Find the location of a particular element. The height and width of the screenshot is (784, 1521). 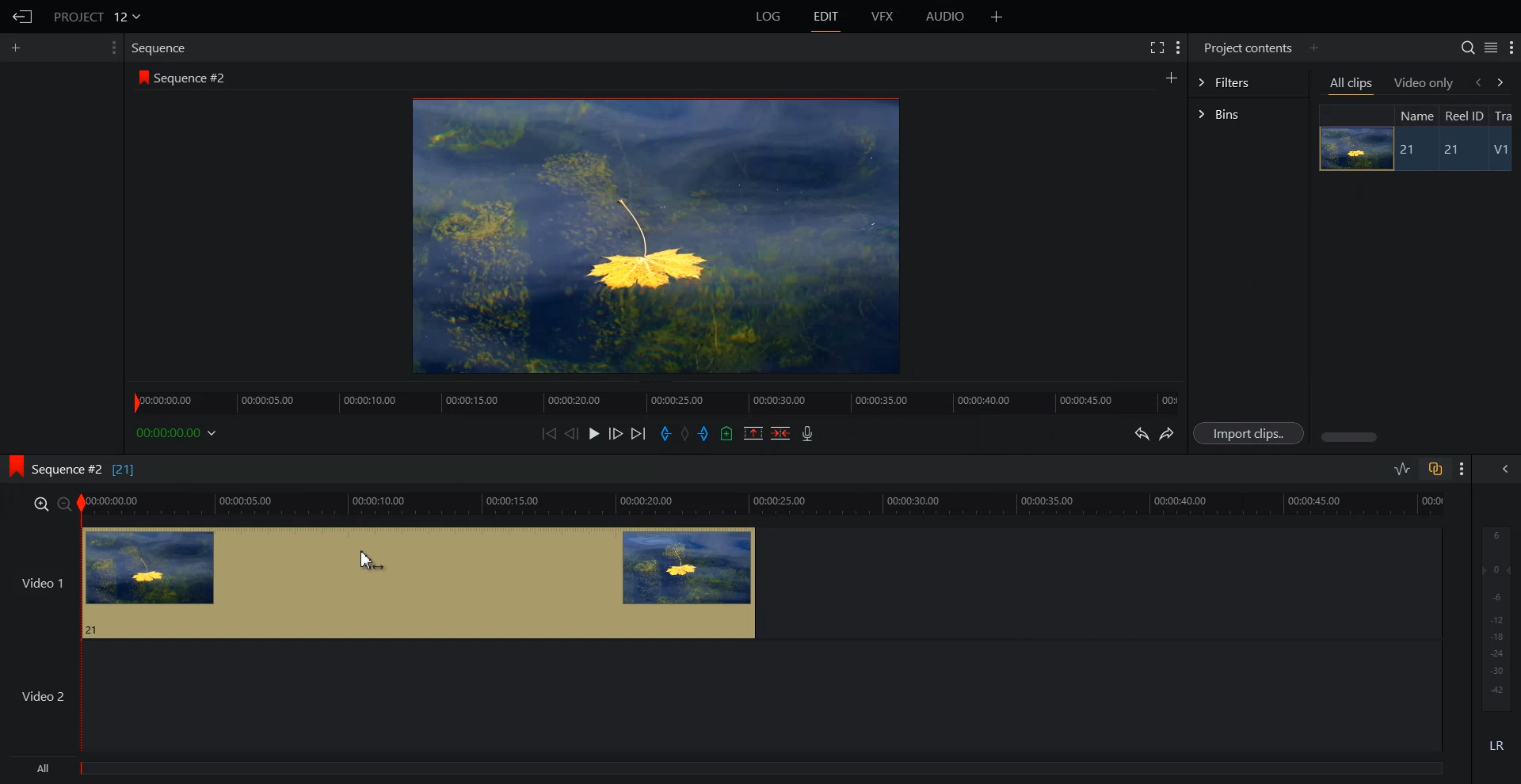

Search is located at coordinates (1467, 48).